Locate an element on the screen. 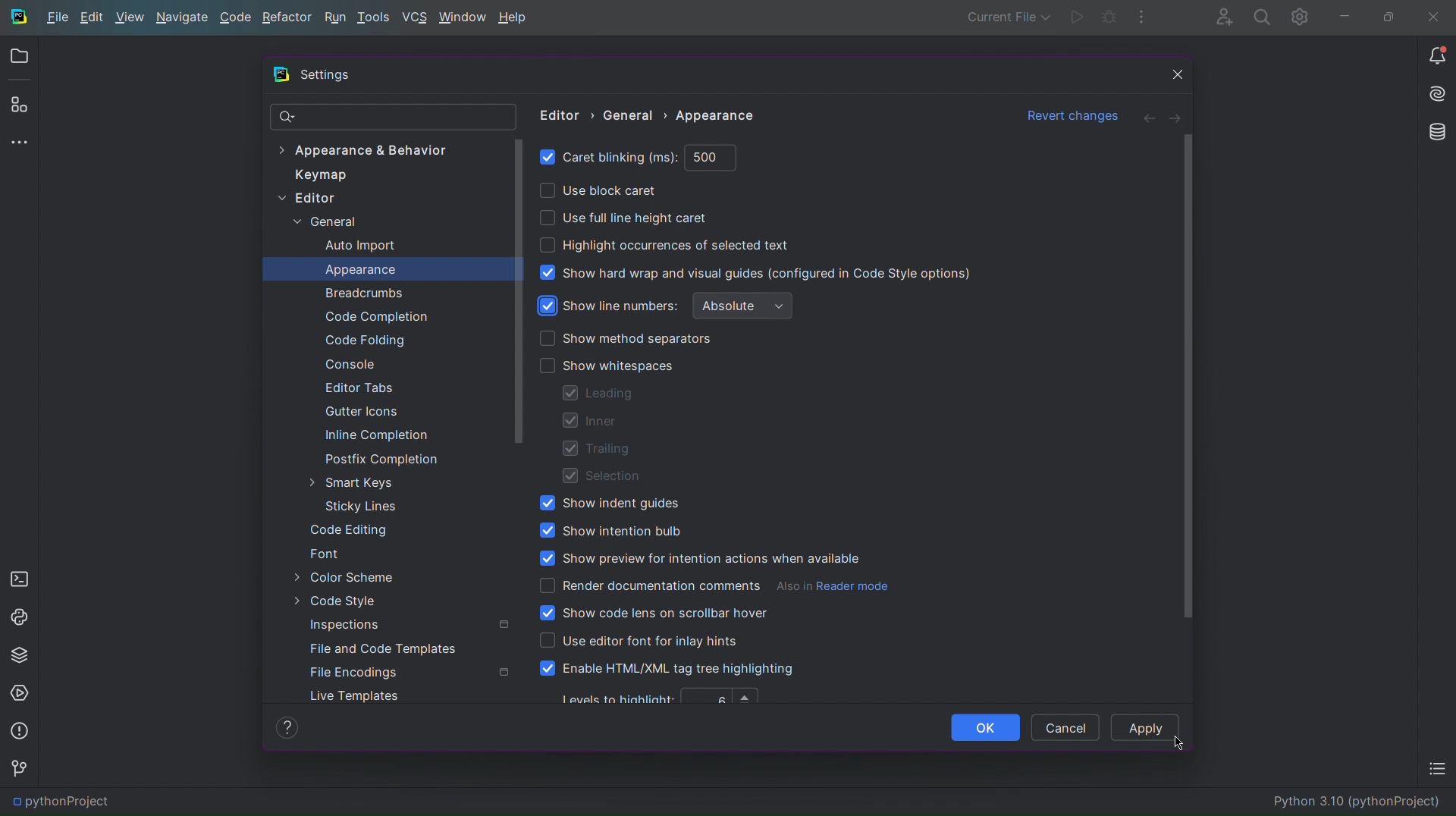 This screenshot has height=816, width=1456. Search Bar is located at coordinates (392, 117).